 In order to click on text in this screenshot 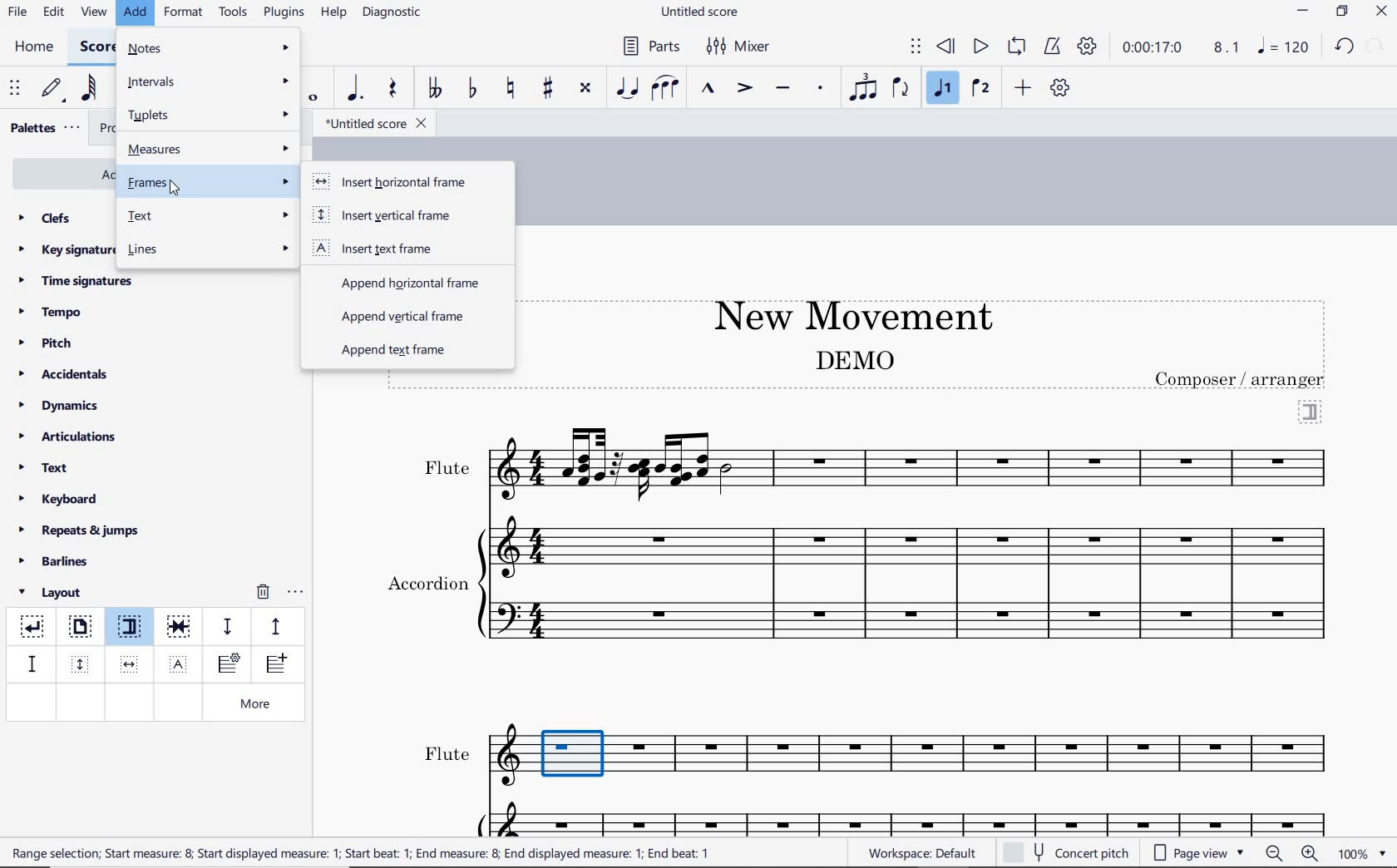, I will do `click(446, 468)`.